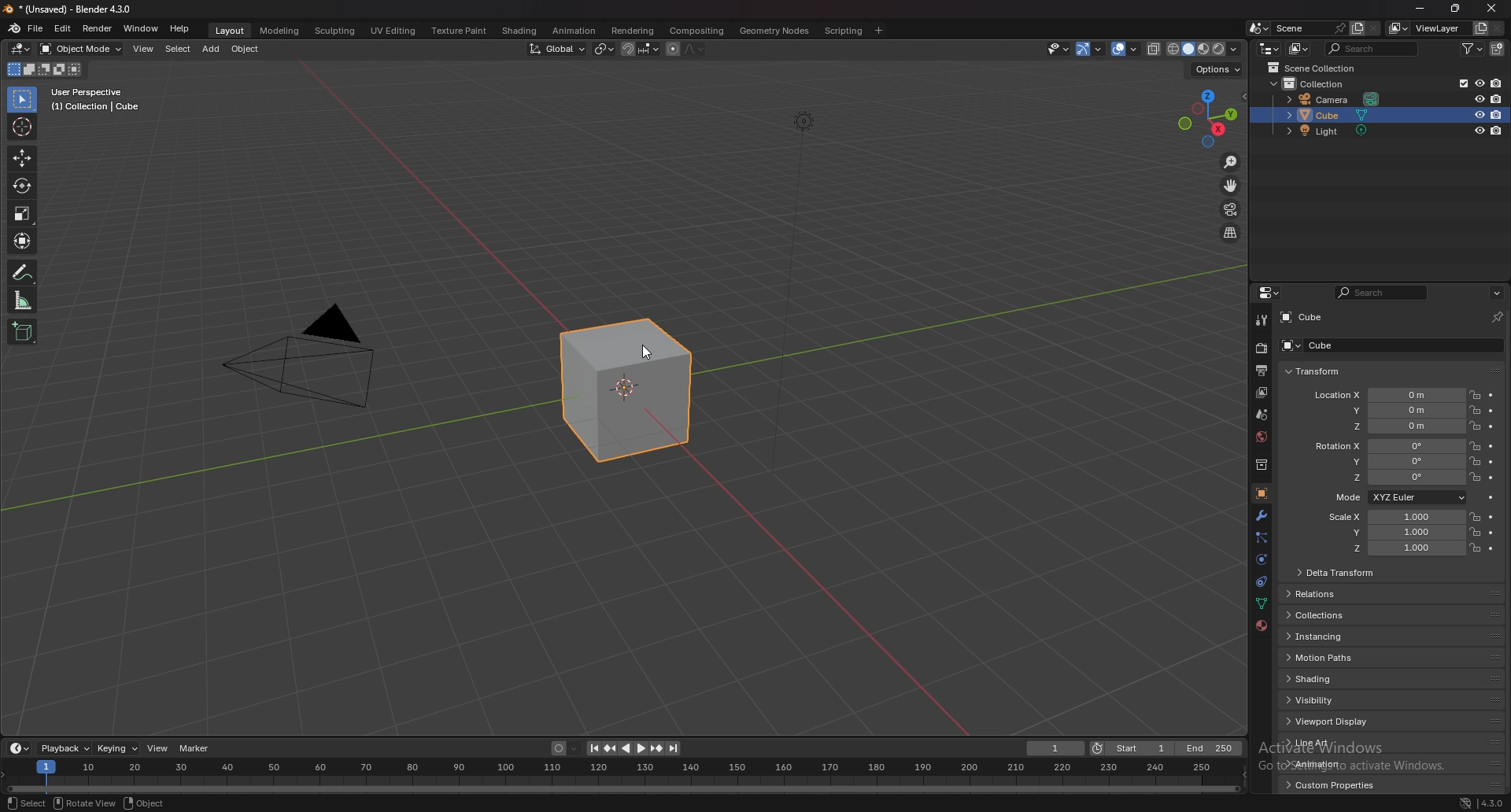  Describe the element at coordinates (1491, 9) in the screenshot. I see `close` at that location.